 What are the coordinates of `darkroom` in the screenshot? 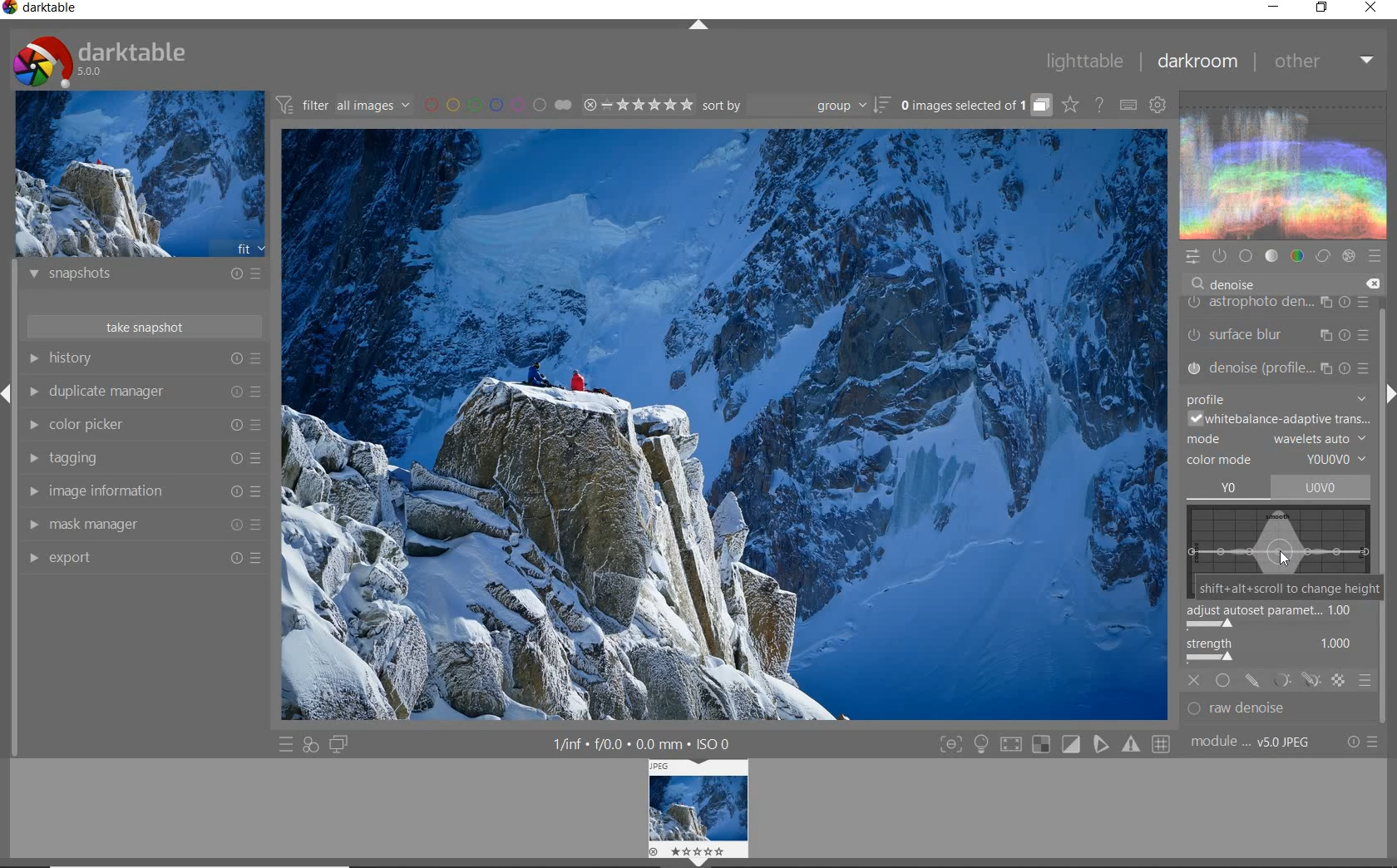 It's located at (1197, 62).